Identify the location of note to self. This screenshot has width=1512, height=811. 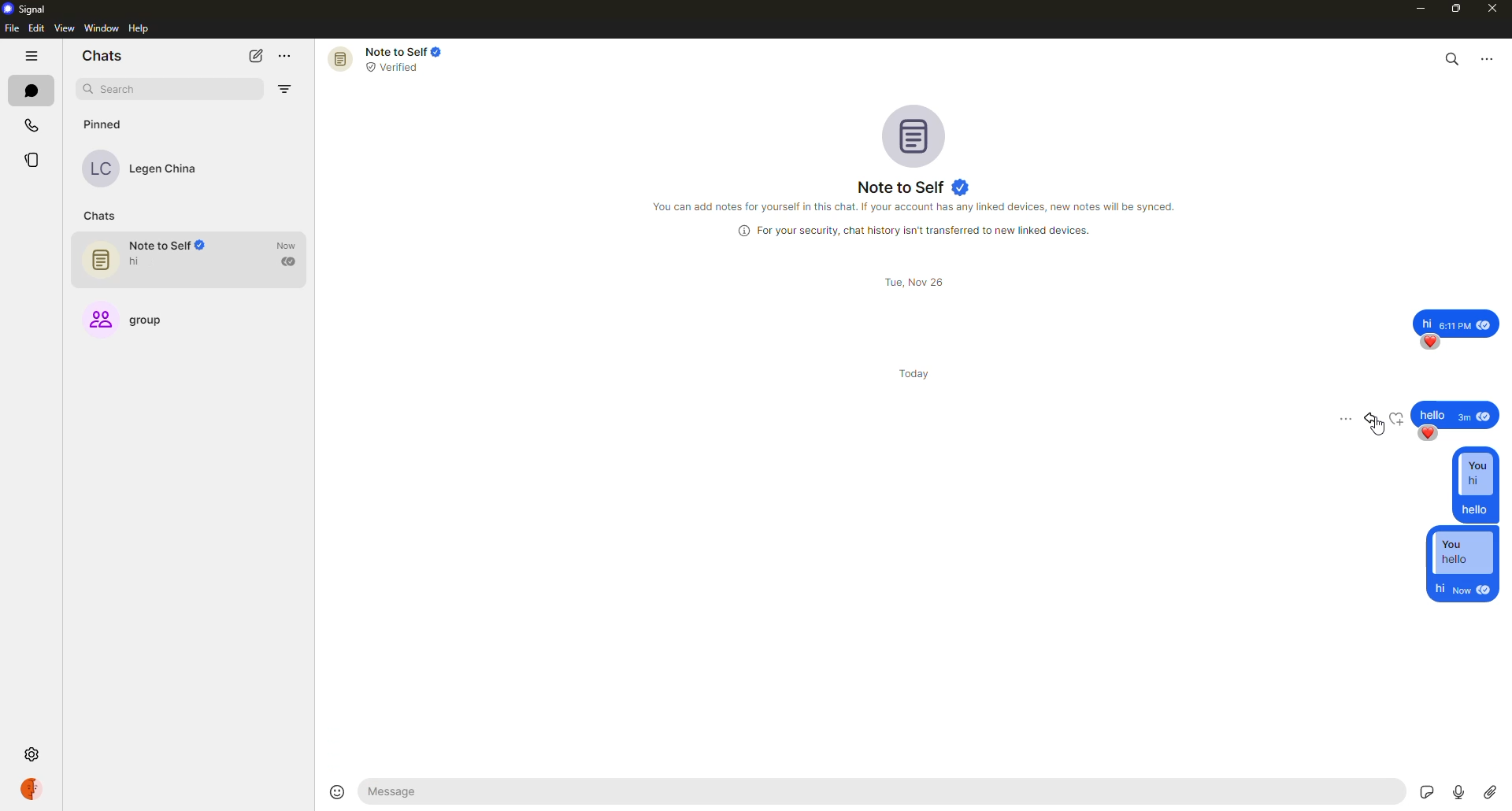
(914, 184).